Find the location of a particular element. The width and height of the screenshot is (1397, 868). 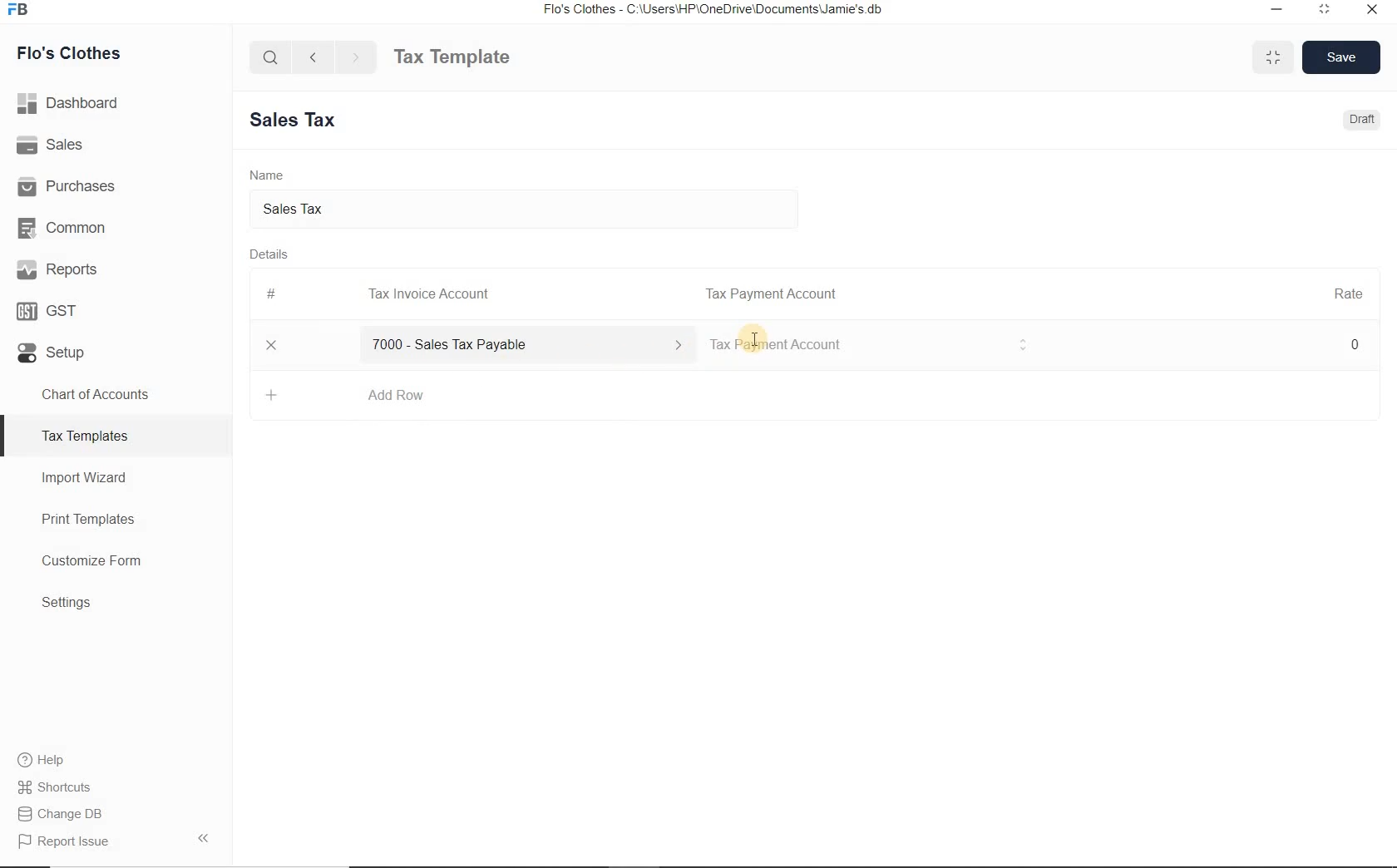

Tax Template is located at coordinates (452, 57).